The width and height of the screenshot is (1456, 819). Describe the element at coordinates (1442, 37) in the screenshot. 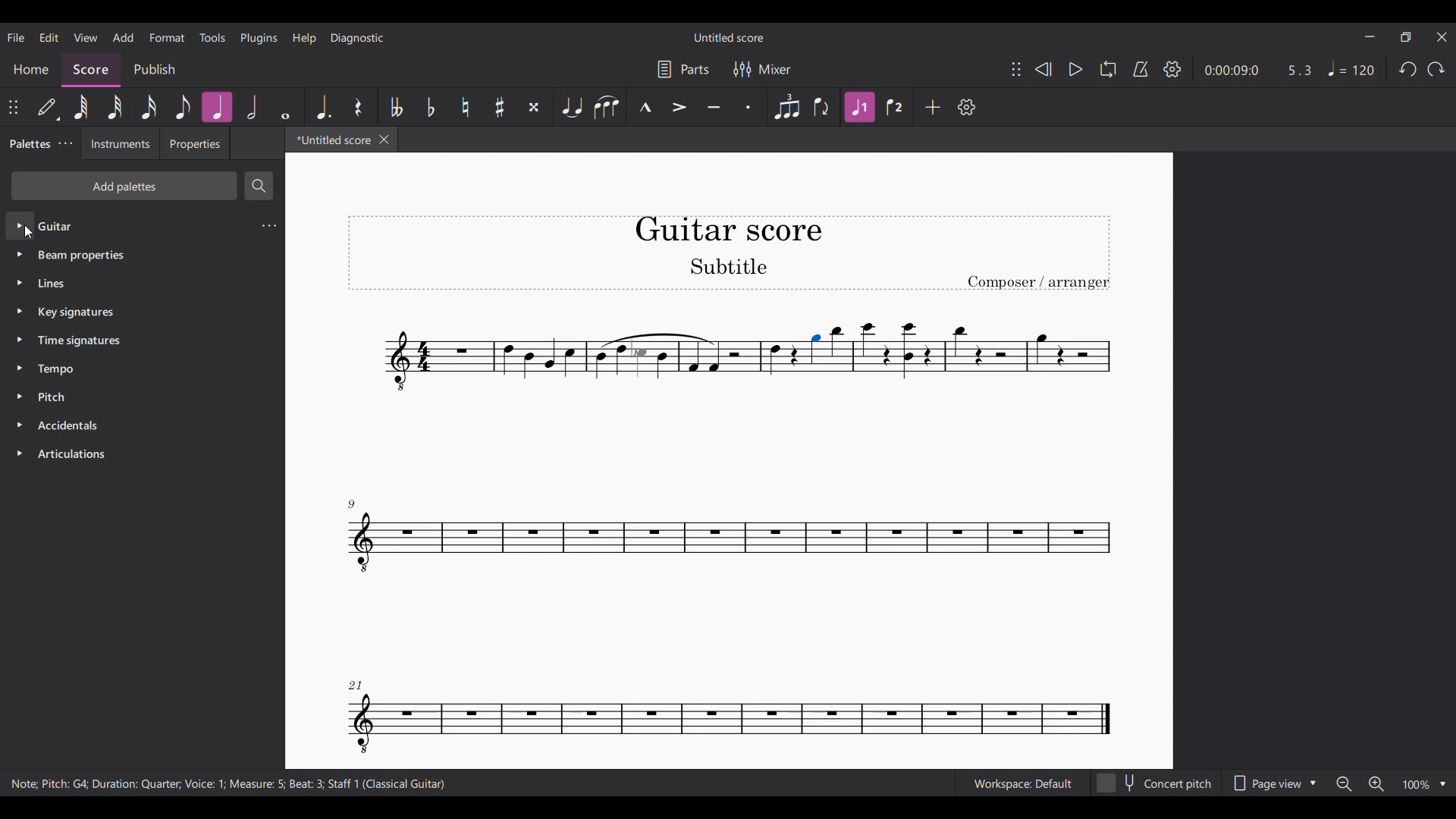

I see `Close interface` at that location.